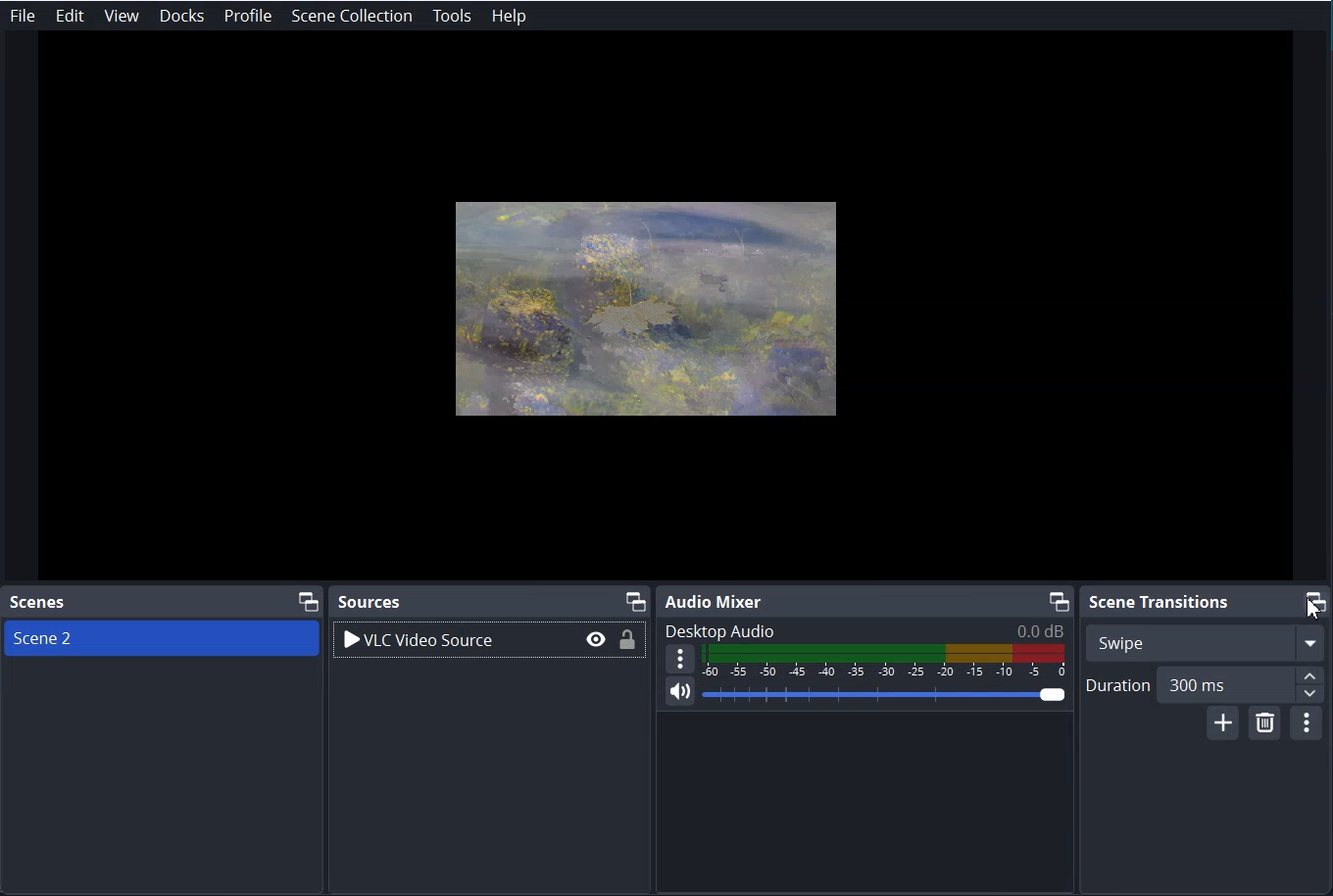 This screenshot has height=896, width=1333. What do you see at coordinates (882, 695) in the screenshot?
I see `Volume Adjuster` at bounding box center [882, 695].